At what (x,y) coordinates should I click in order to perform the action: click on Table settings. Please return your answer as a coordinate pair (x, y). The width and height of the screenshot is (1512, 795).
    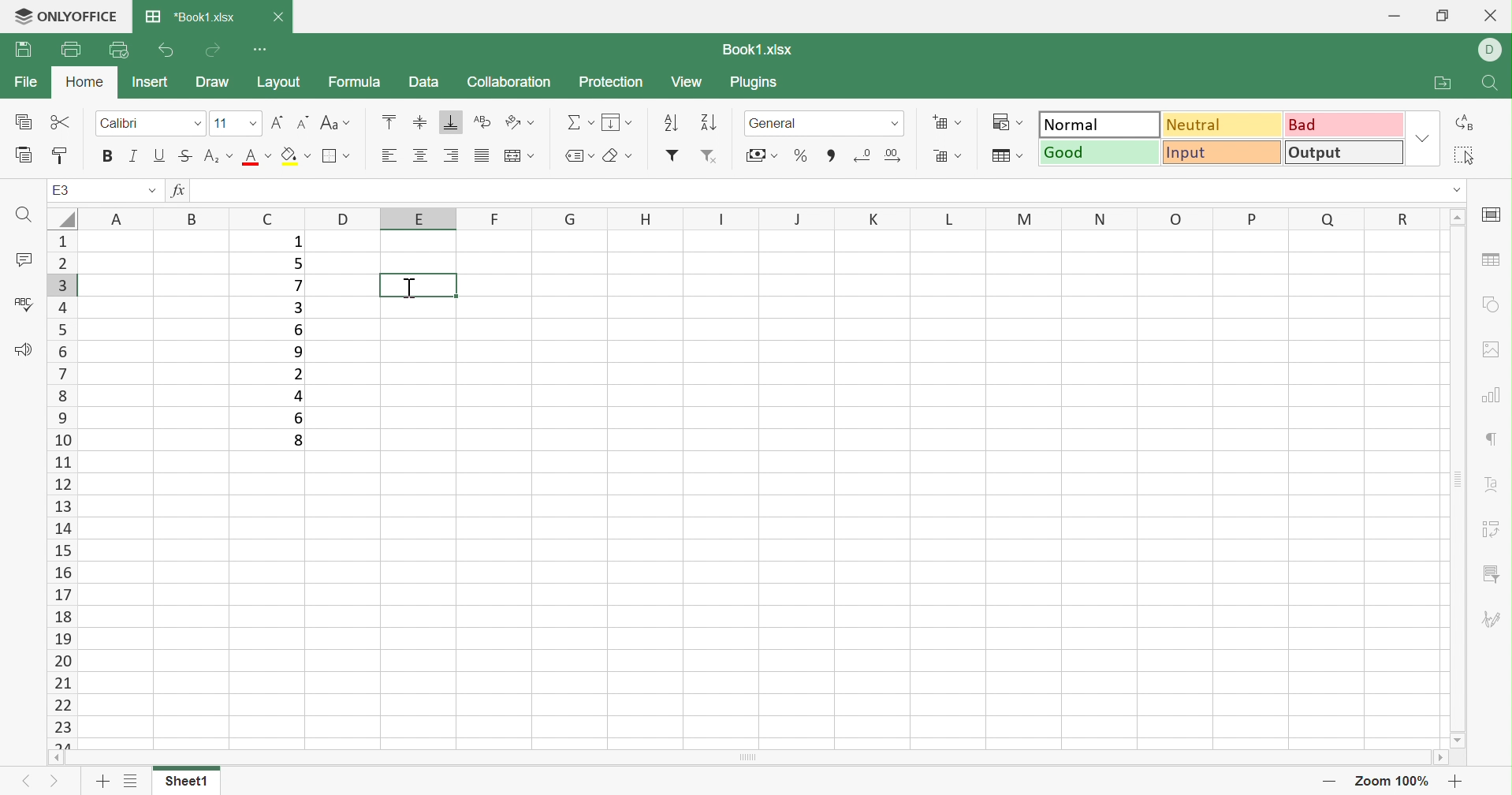
    Looking at the image, I should click on (1492, 258).